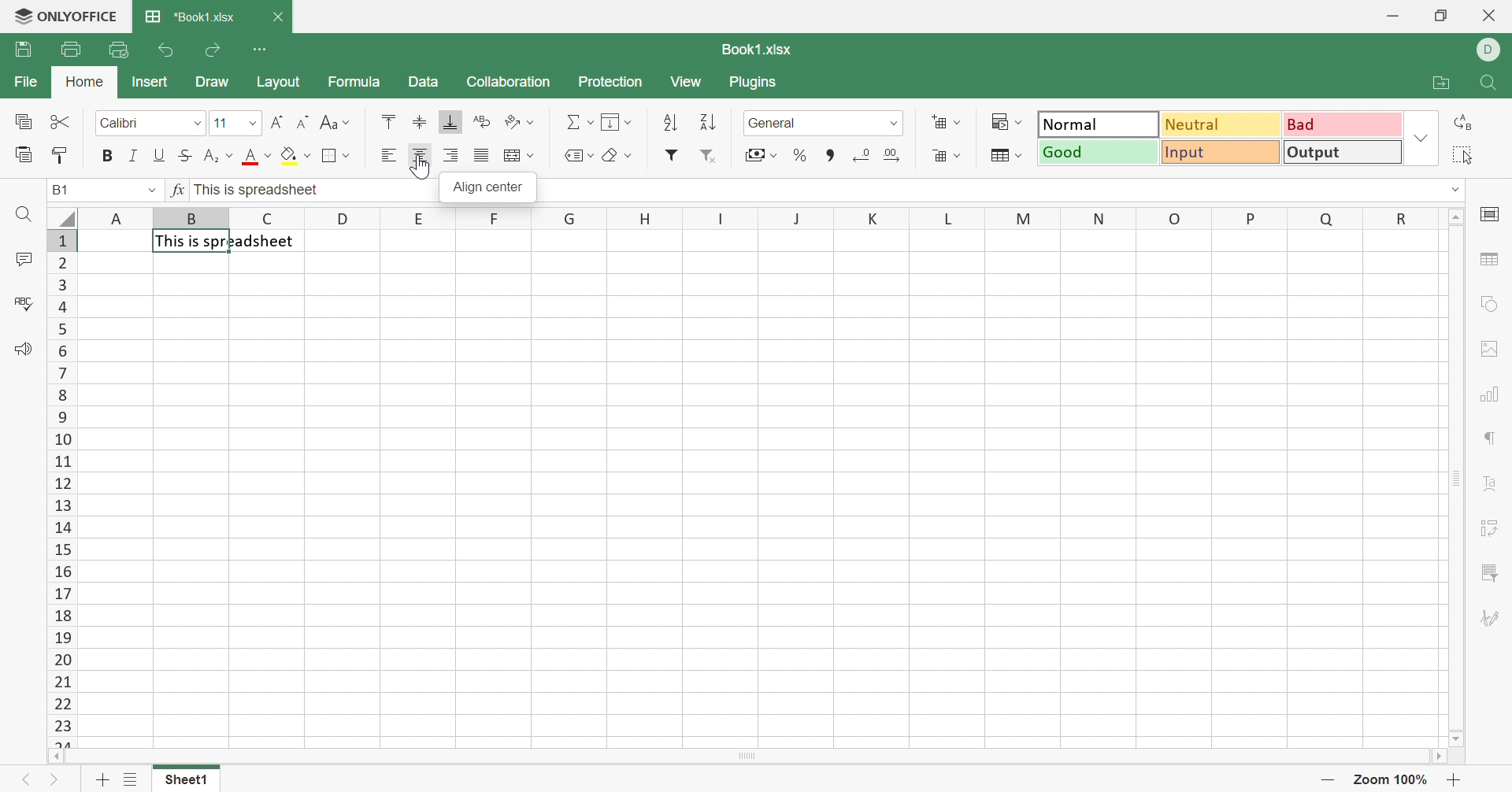 The height and width of the screenshot is (792, 1512). Describe the element at coordinates (747, 757) in the screenshot. I see `Scroll Bar` at that location.